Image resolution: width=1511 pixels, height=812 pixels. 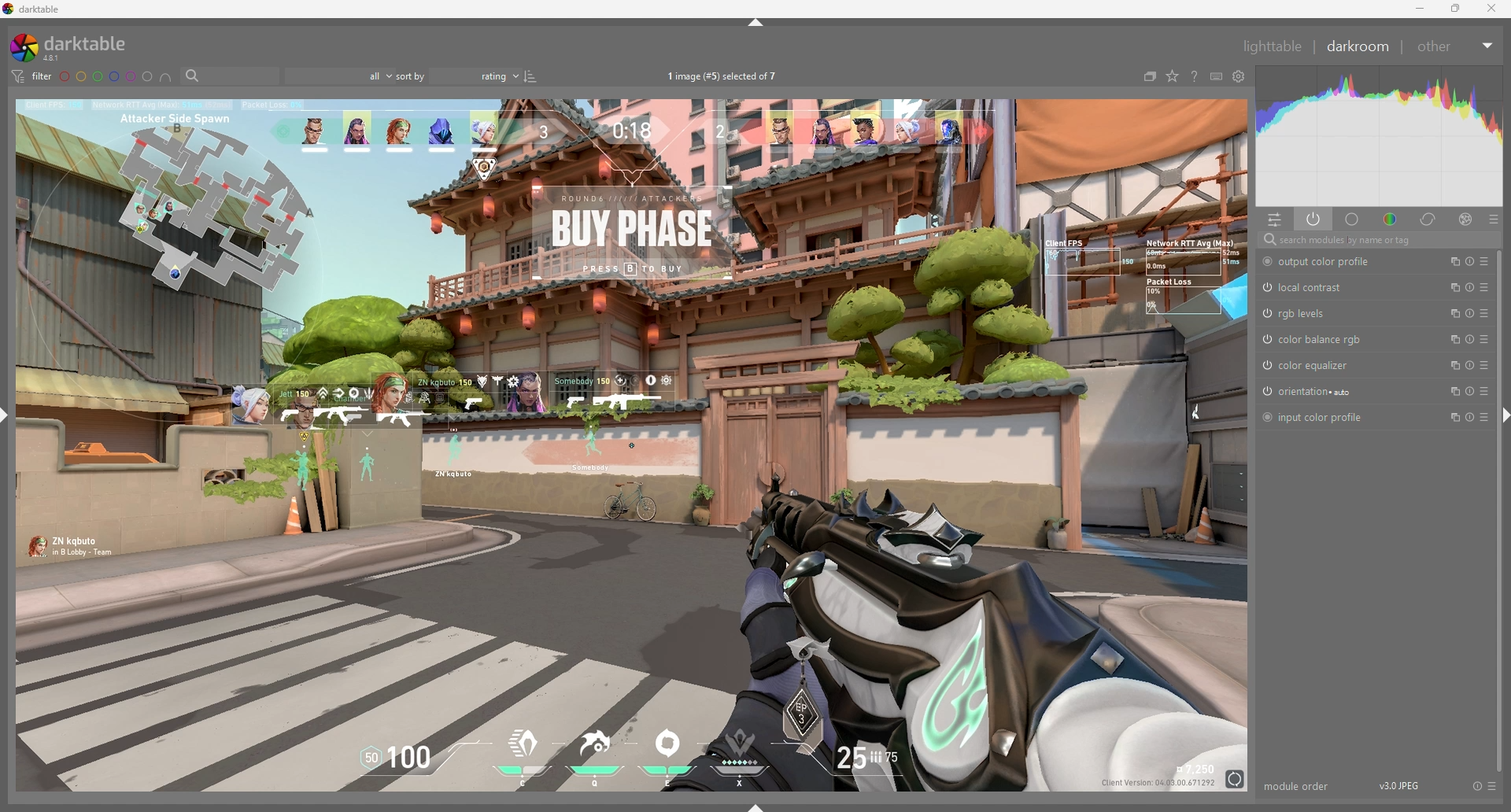 I want to click on heat graph, so click(x=1380, y=136).